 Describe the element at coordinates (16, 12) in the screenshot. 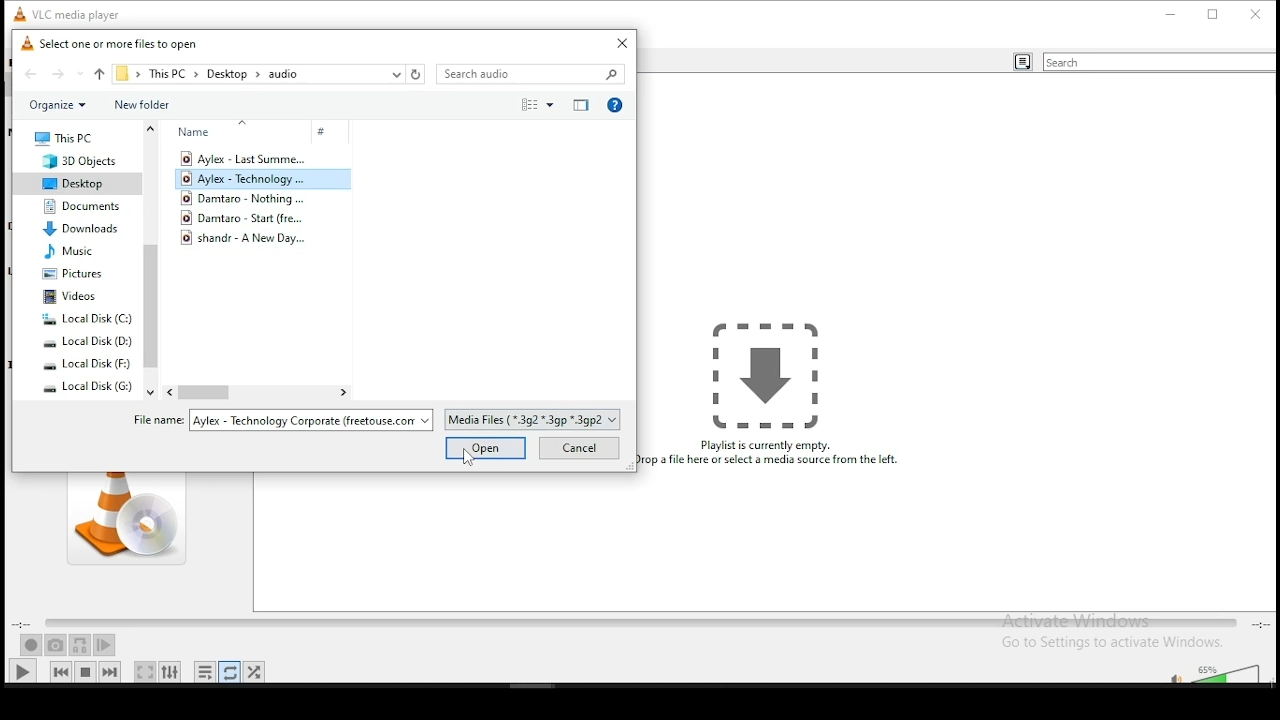

I see `vlc icon` at that location.